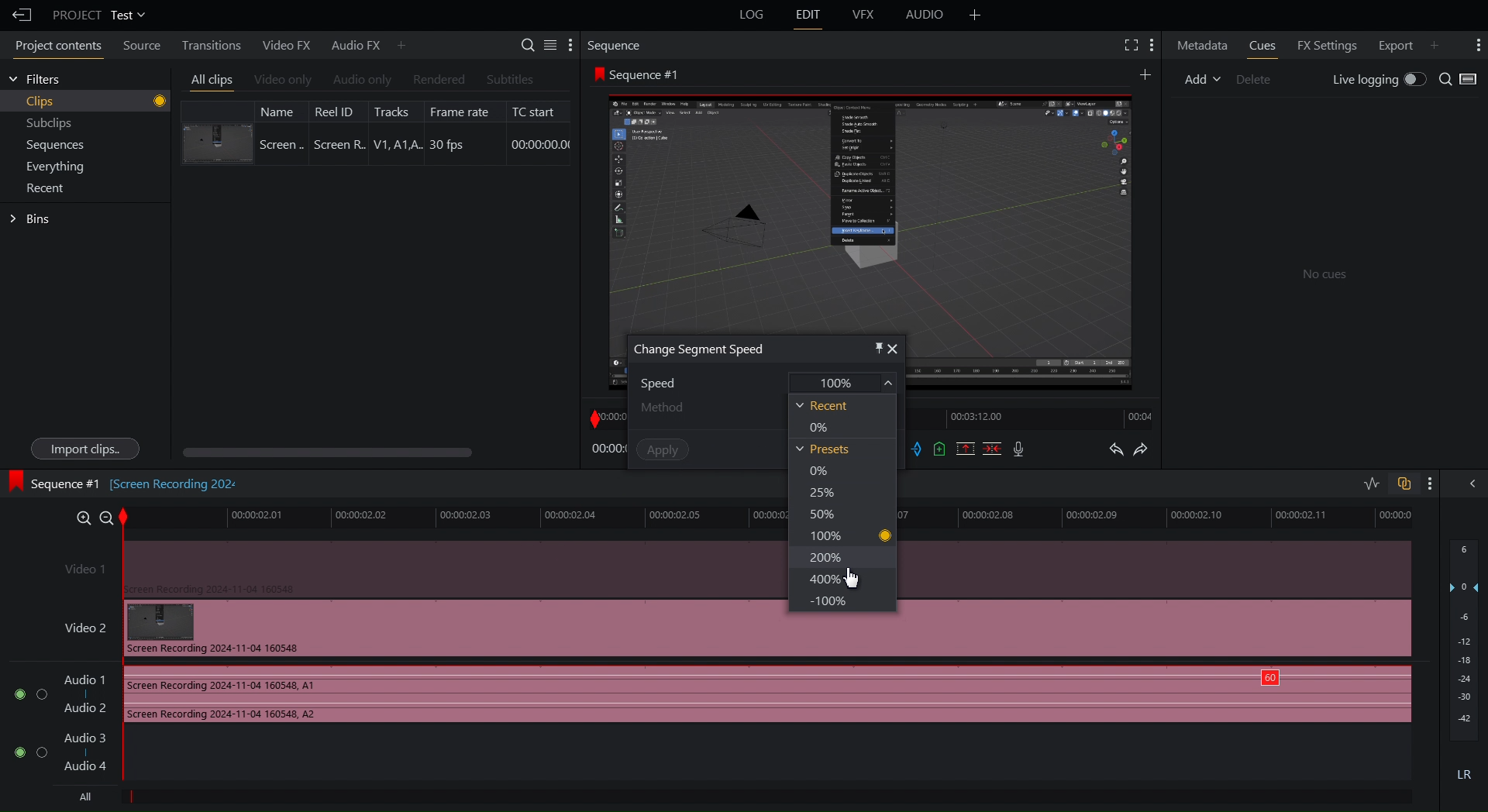 The height and width of the screenshot is (812, 1488). I want to click on Settings, so click(548, 44).